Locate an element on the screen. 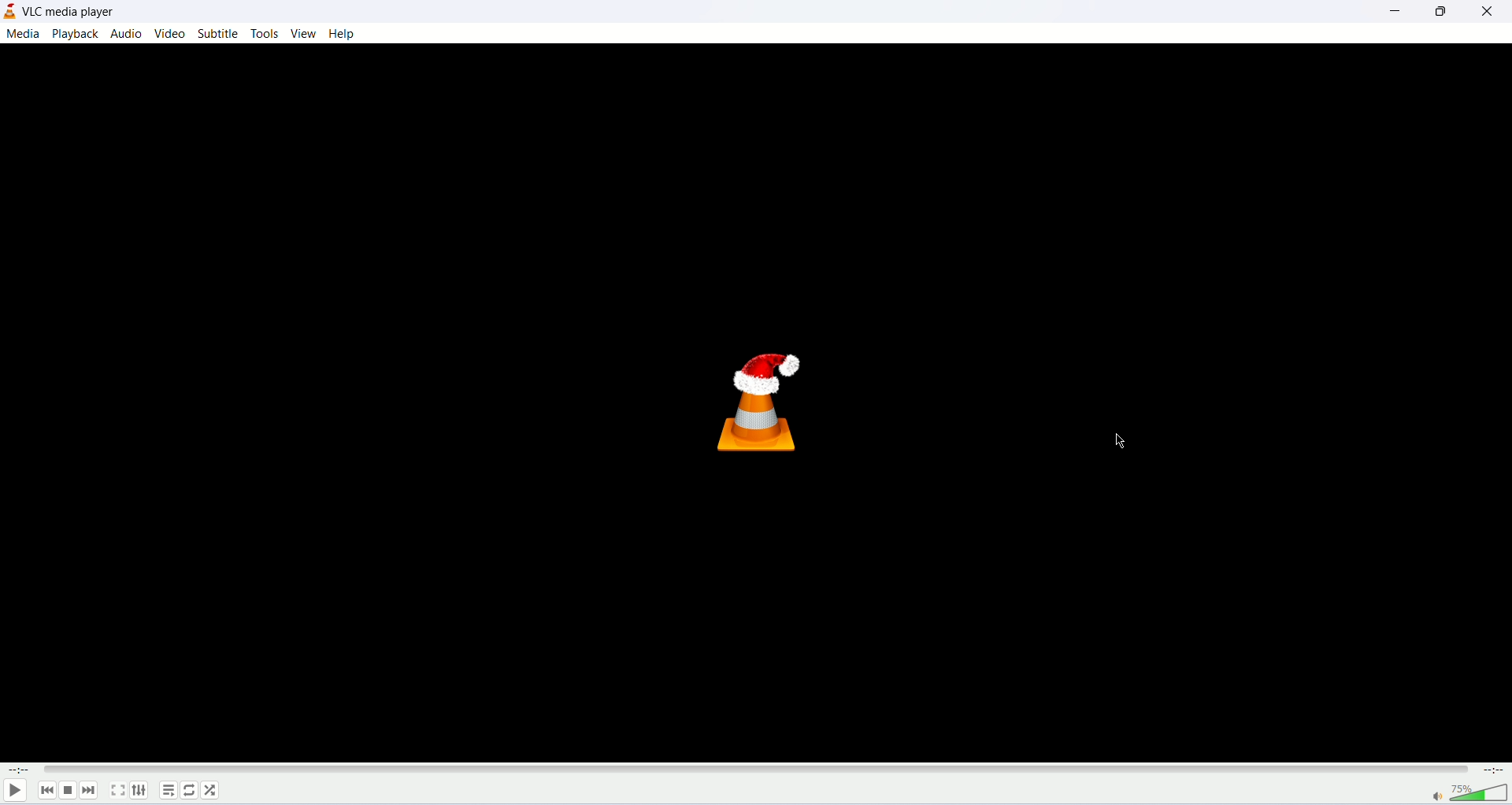  media is located at coordinates (23, 35).